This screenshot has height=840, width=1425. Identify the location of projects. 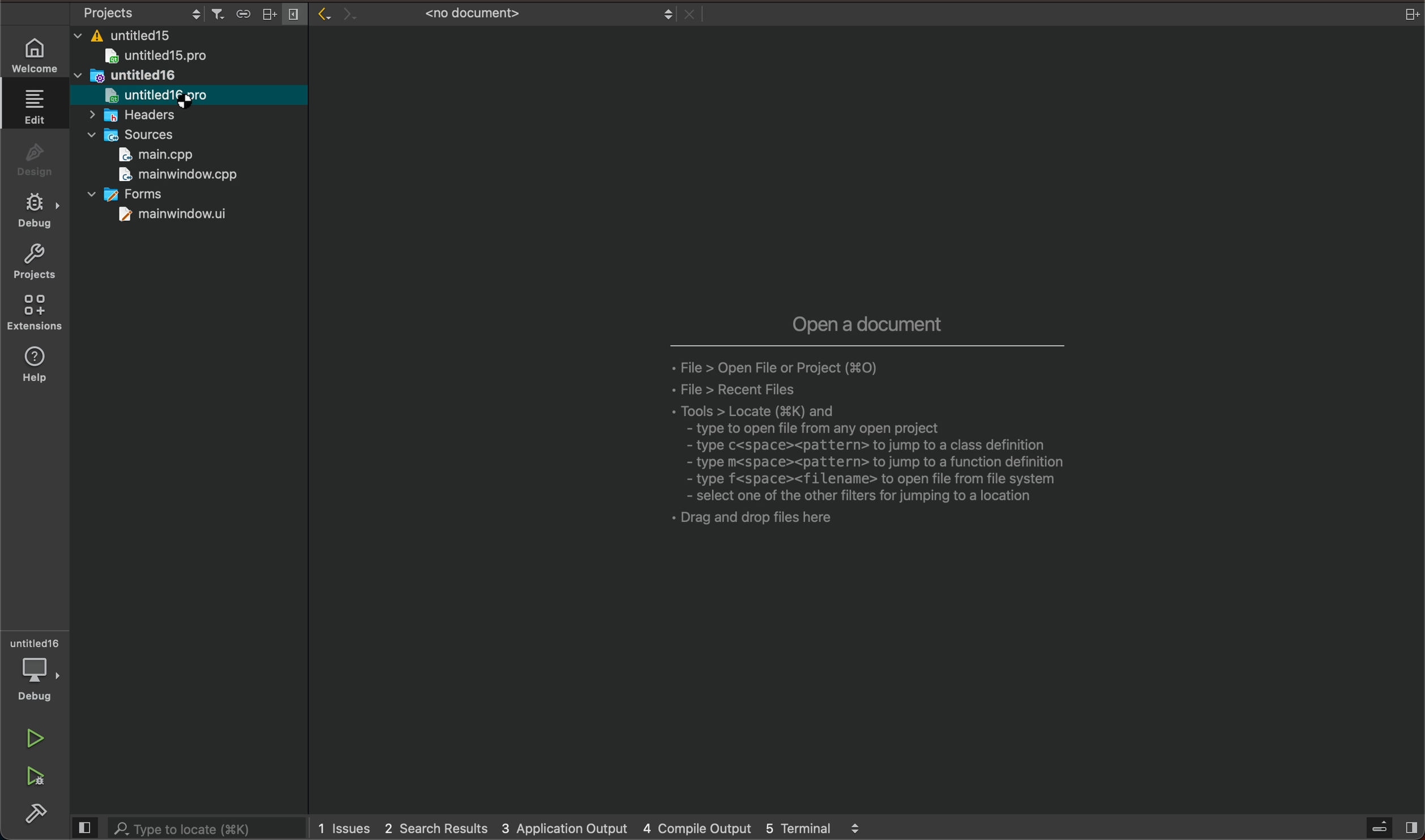
(40, 265).